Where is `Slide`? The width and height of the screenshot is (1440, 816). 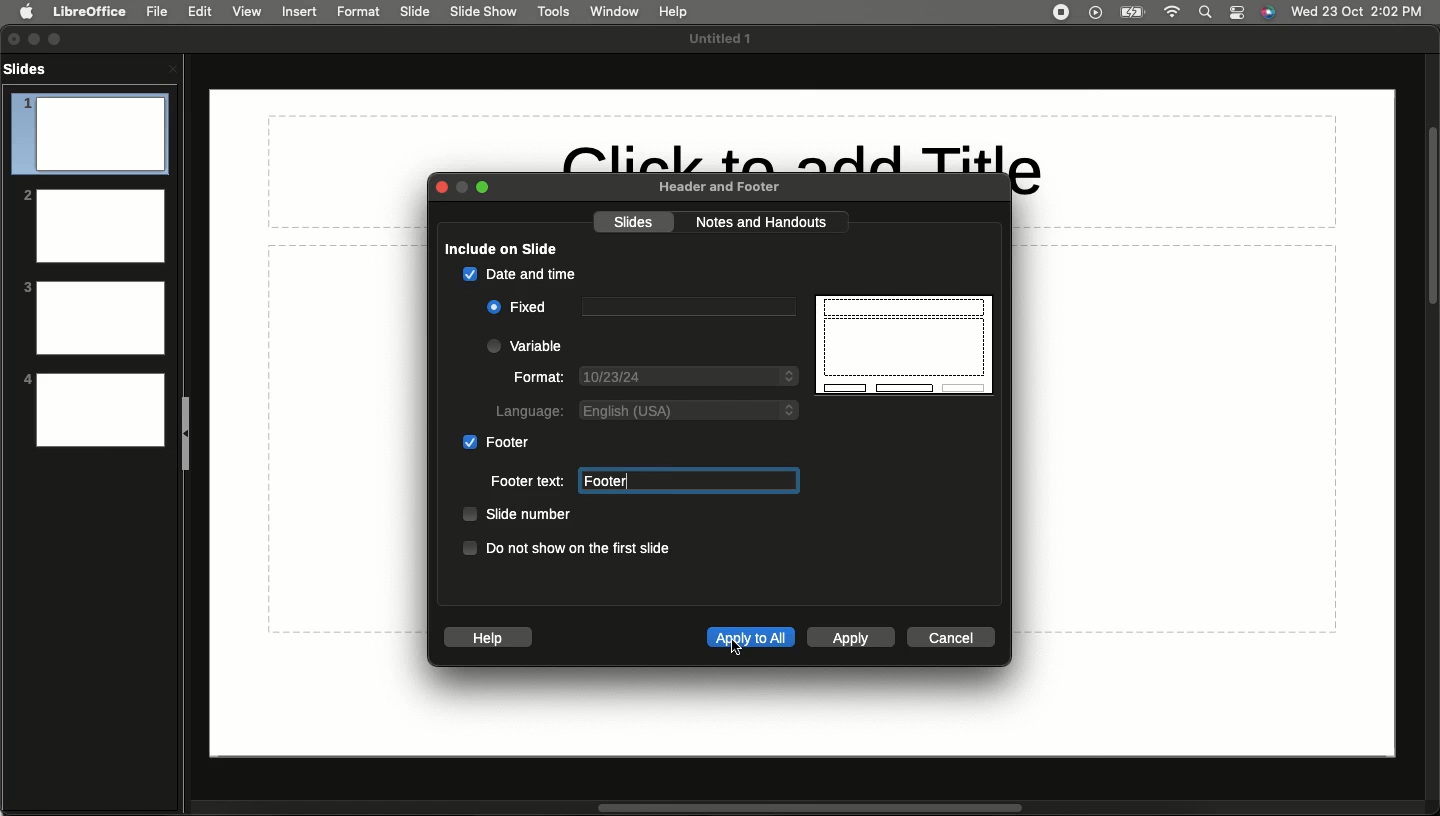
Slide is located at coordinates (416, 12).